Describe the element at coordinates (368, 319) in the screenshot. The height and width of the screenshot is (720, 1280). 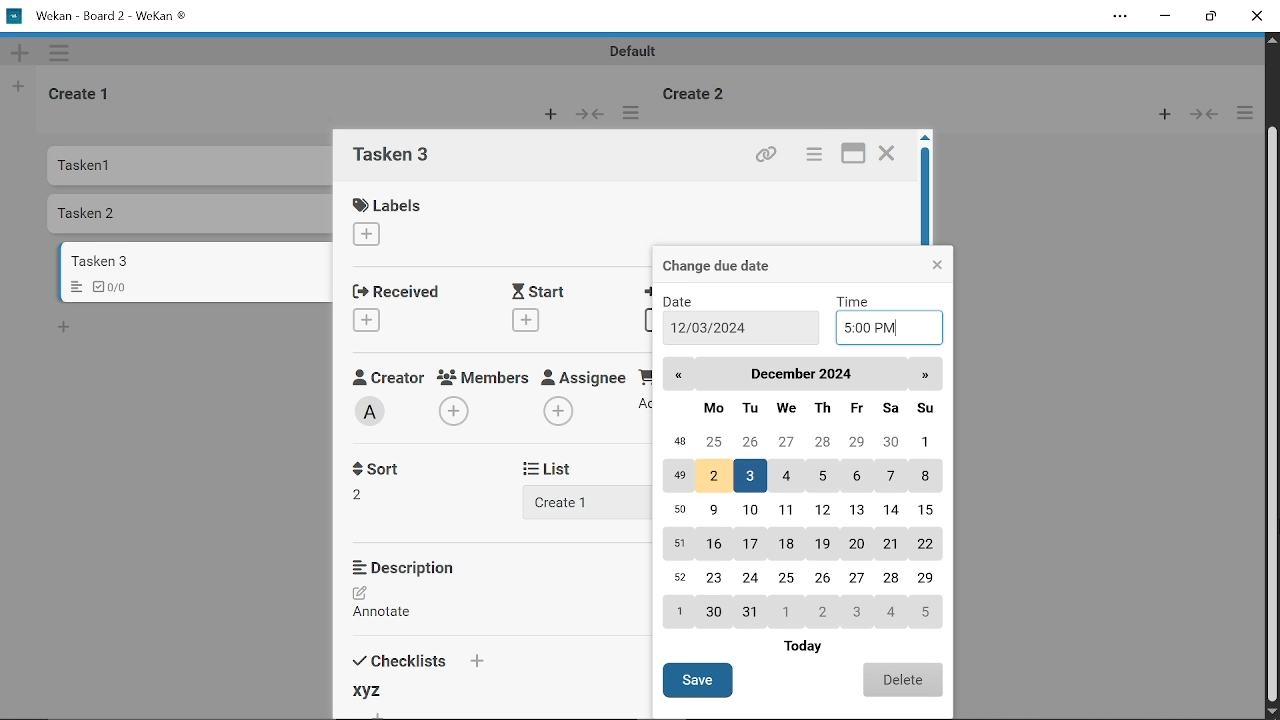
I see `Add received date` at that location.